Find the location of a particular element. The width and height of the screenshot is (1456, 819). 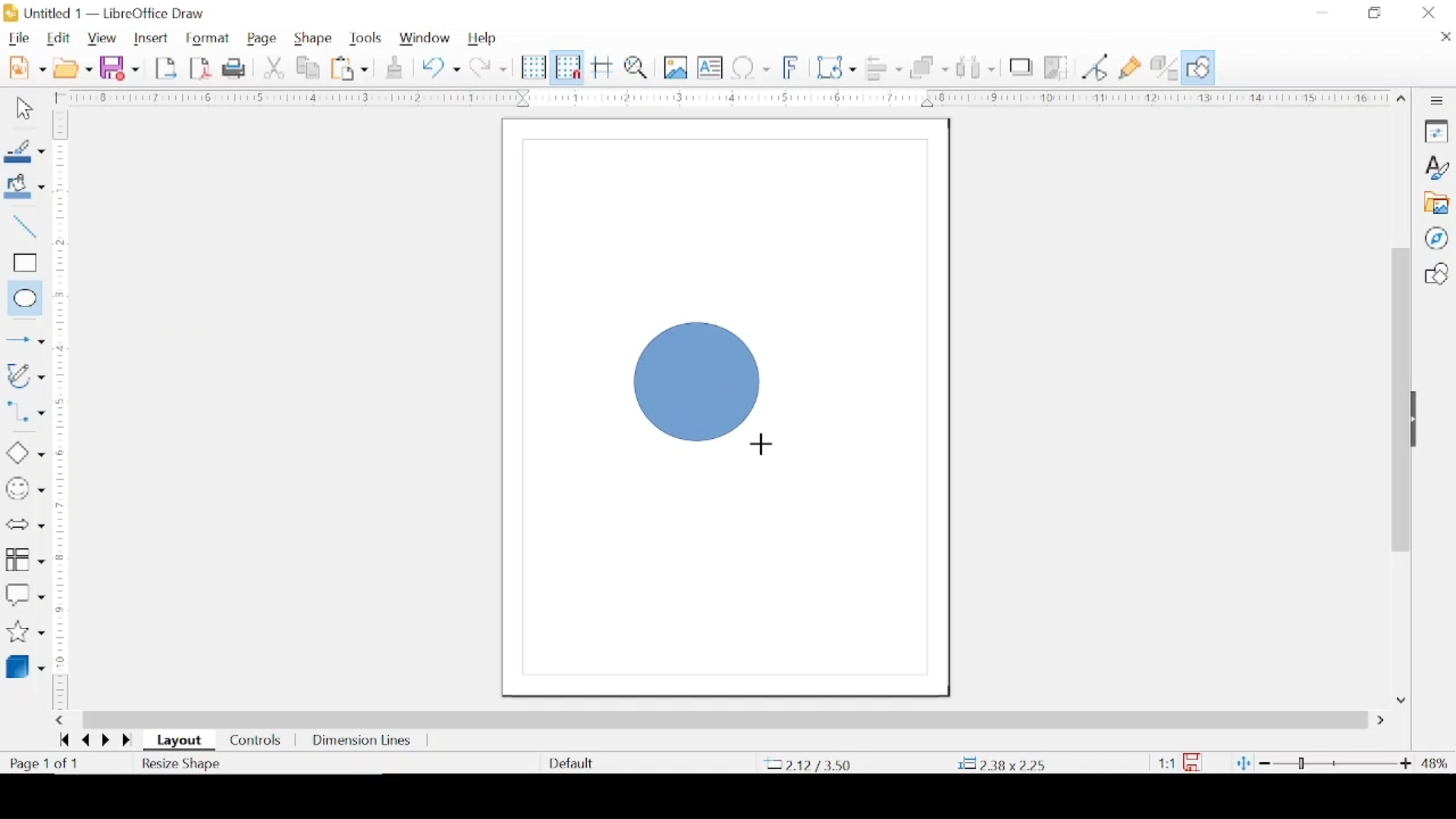

save  is located at coordinates (120, 67).